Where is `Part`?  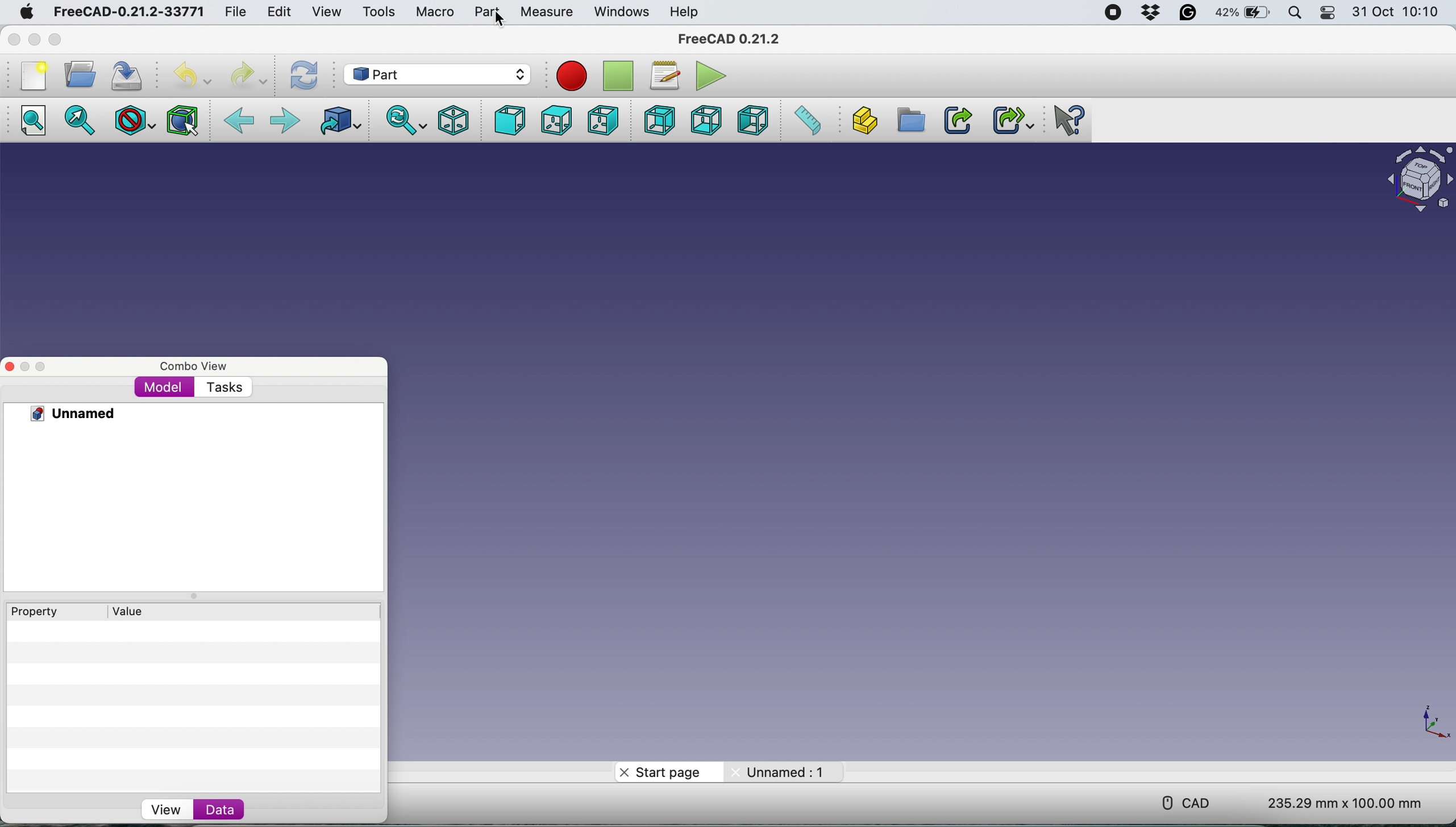 Part is located at coordinates (488, 11).